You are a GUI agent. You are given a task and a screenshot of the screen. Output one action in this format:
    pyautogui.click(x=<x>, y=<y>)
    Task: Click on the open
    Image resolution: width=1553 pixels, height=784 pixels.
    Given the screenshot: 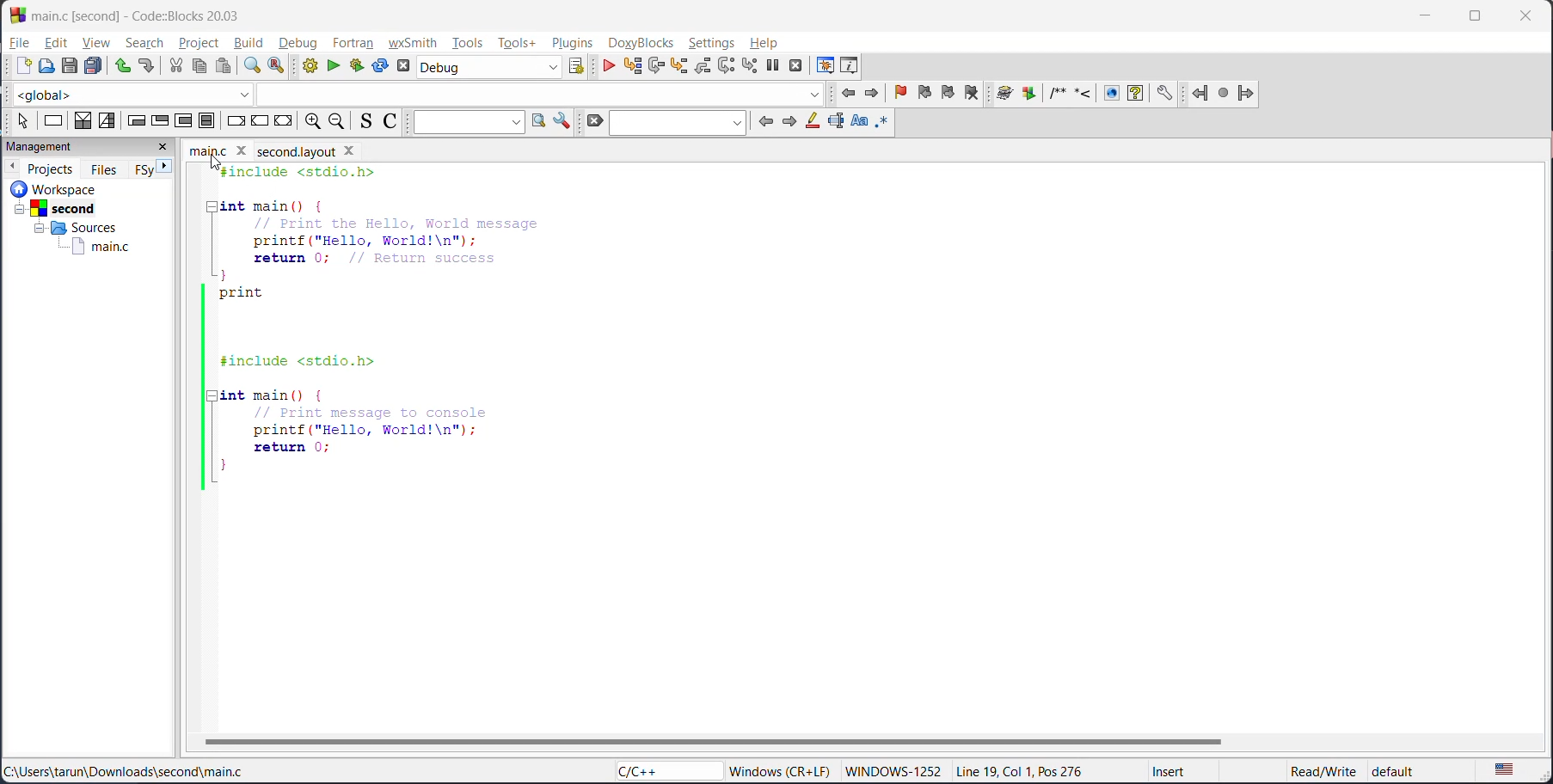 What is the action you would take?
    pyautogui.click(x=44, y=65)
    